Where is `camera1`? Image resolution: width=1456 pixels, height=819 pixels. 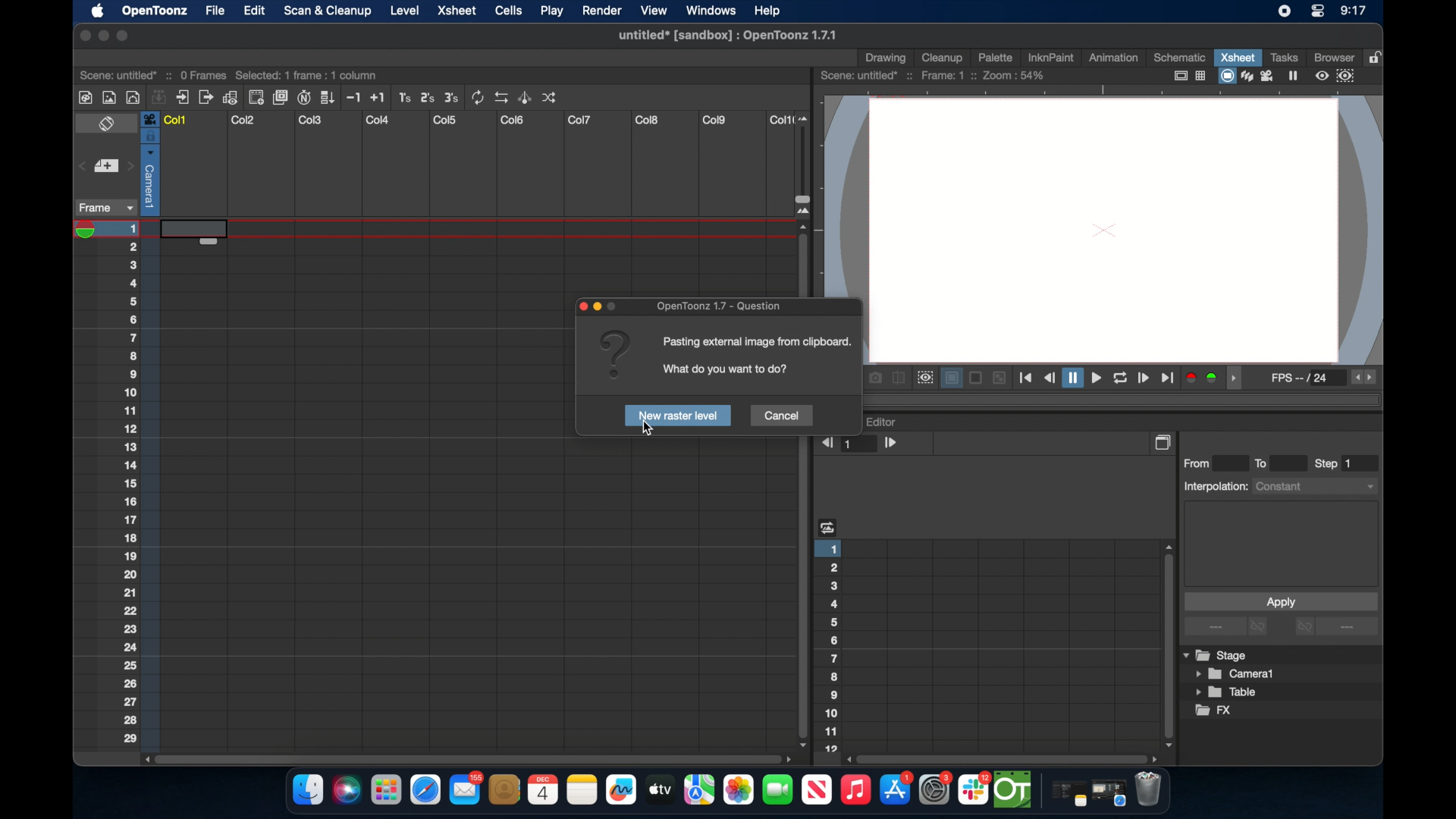 camera1 is located at coordinates (1236, 674).